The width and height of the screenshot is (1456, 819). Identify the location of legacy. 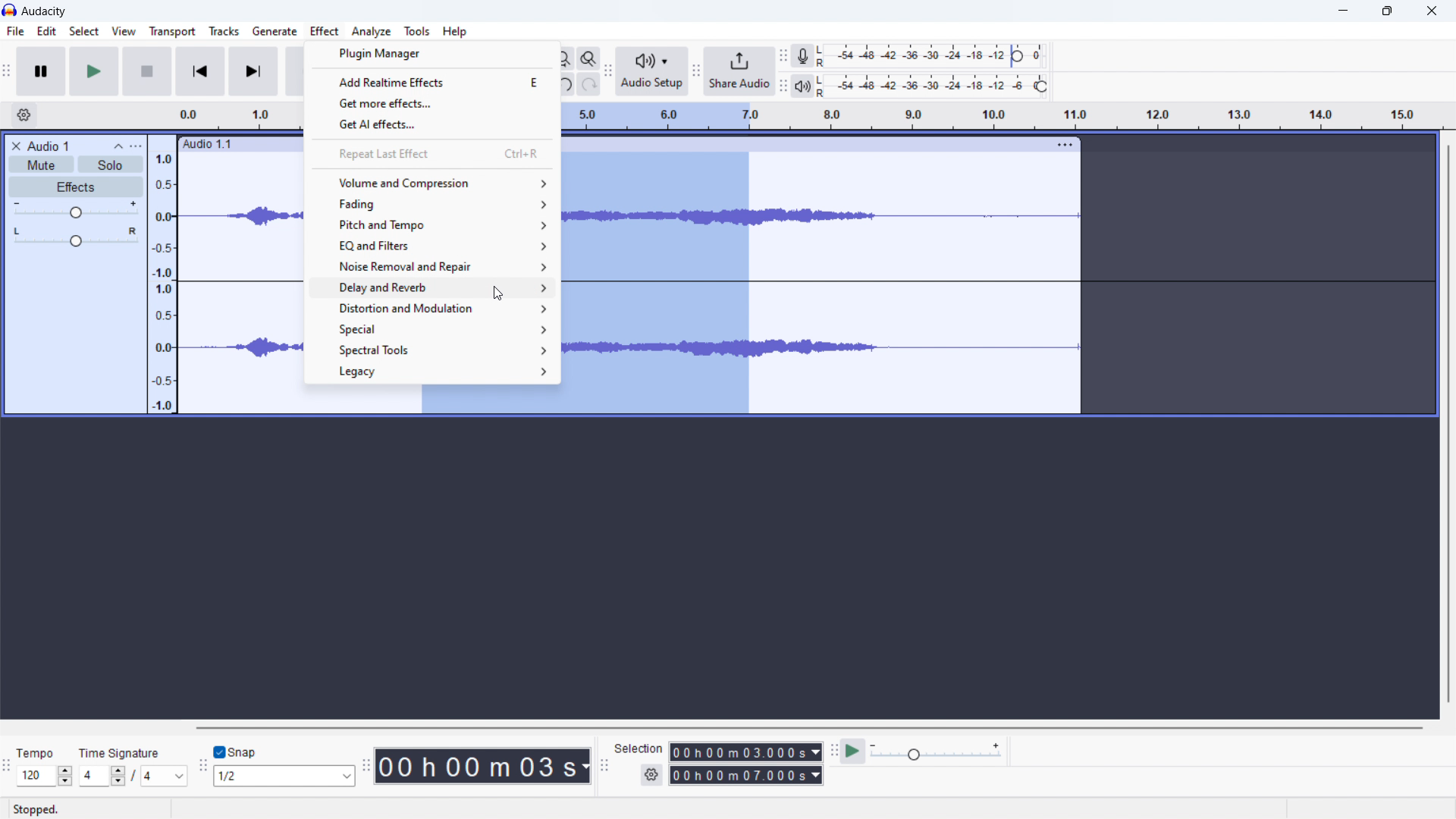
(431, 372).